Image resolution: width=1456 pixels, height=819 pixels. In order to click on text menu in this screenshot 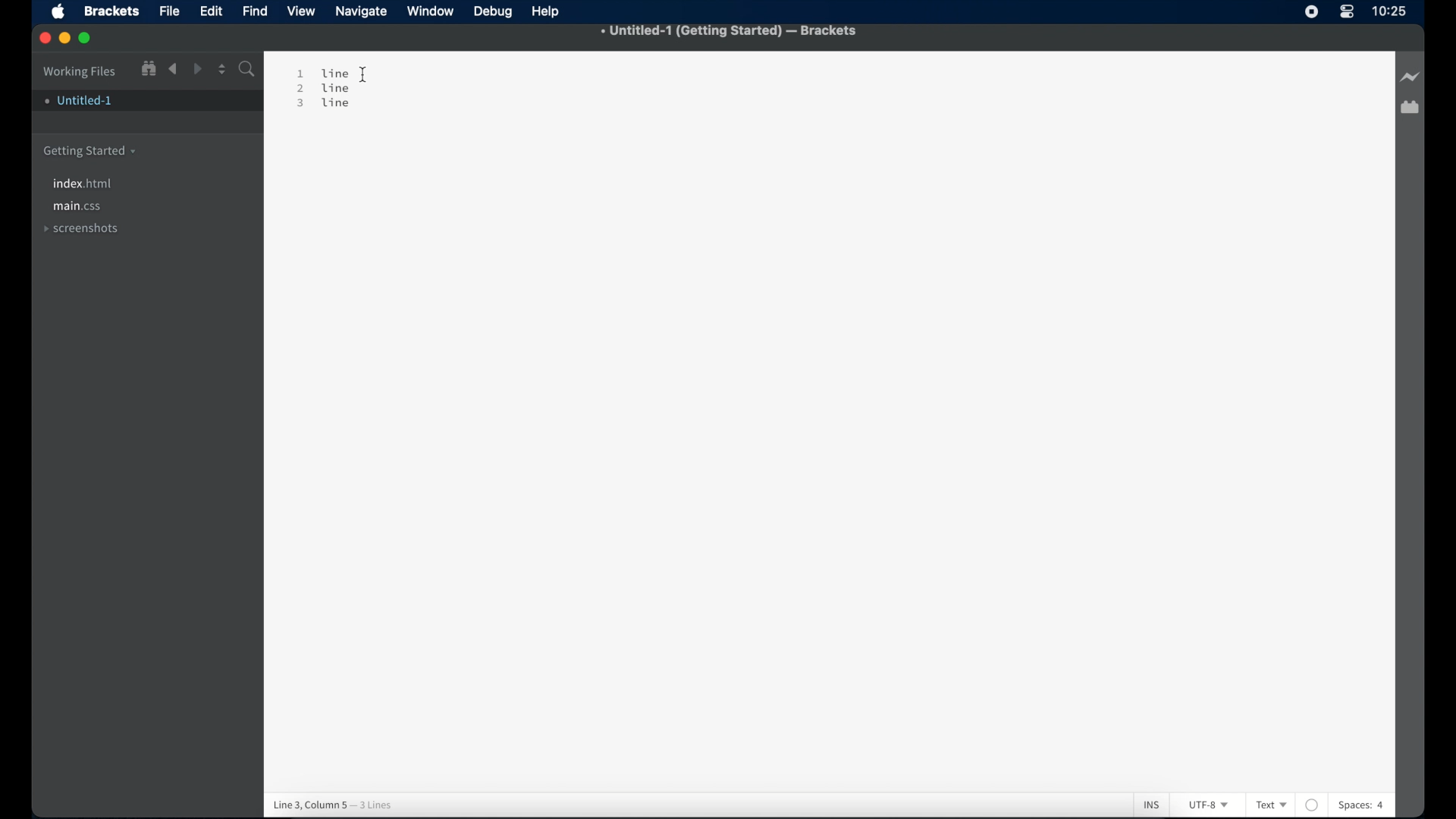, I will do `click(1271, 804)`.